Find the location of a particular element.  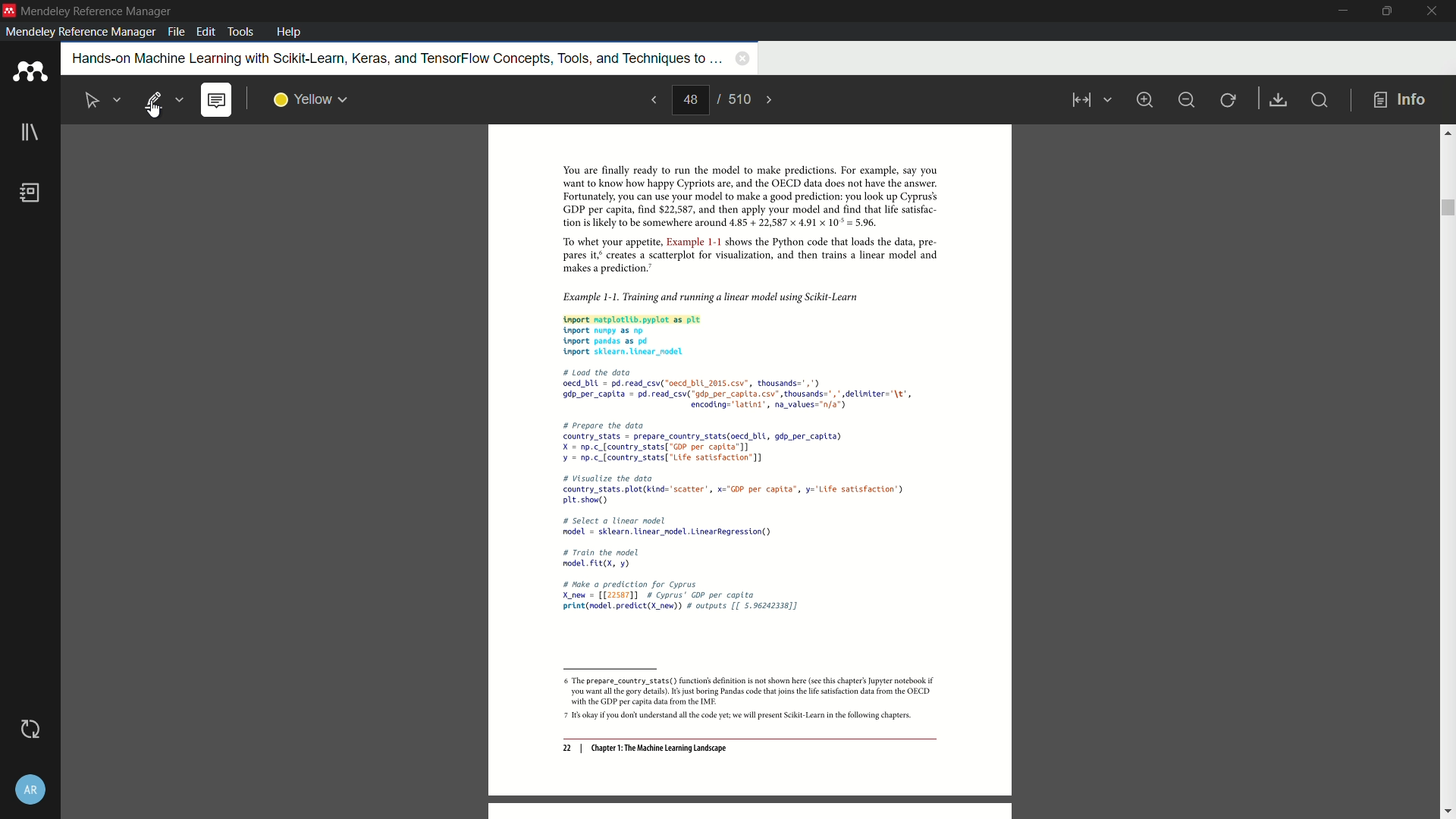

sync is located at coordinates (31, 729).